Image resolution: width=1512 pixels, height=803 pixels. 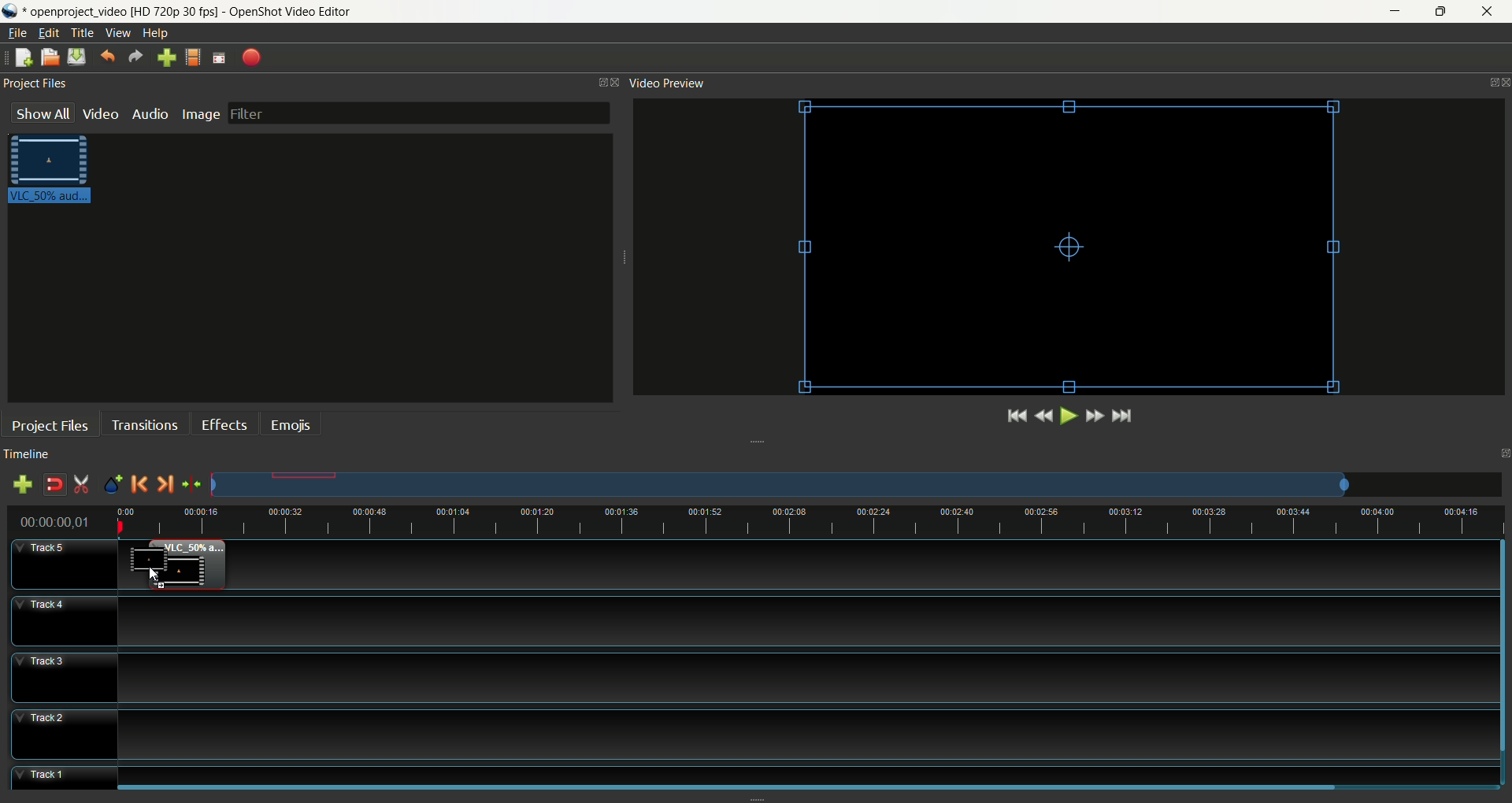 What do you see at coordinates (755, 678) in the screenshot?
I see `track3` at bounding box center [755, 678].